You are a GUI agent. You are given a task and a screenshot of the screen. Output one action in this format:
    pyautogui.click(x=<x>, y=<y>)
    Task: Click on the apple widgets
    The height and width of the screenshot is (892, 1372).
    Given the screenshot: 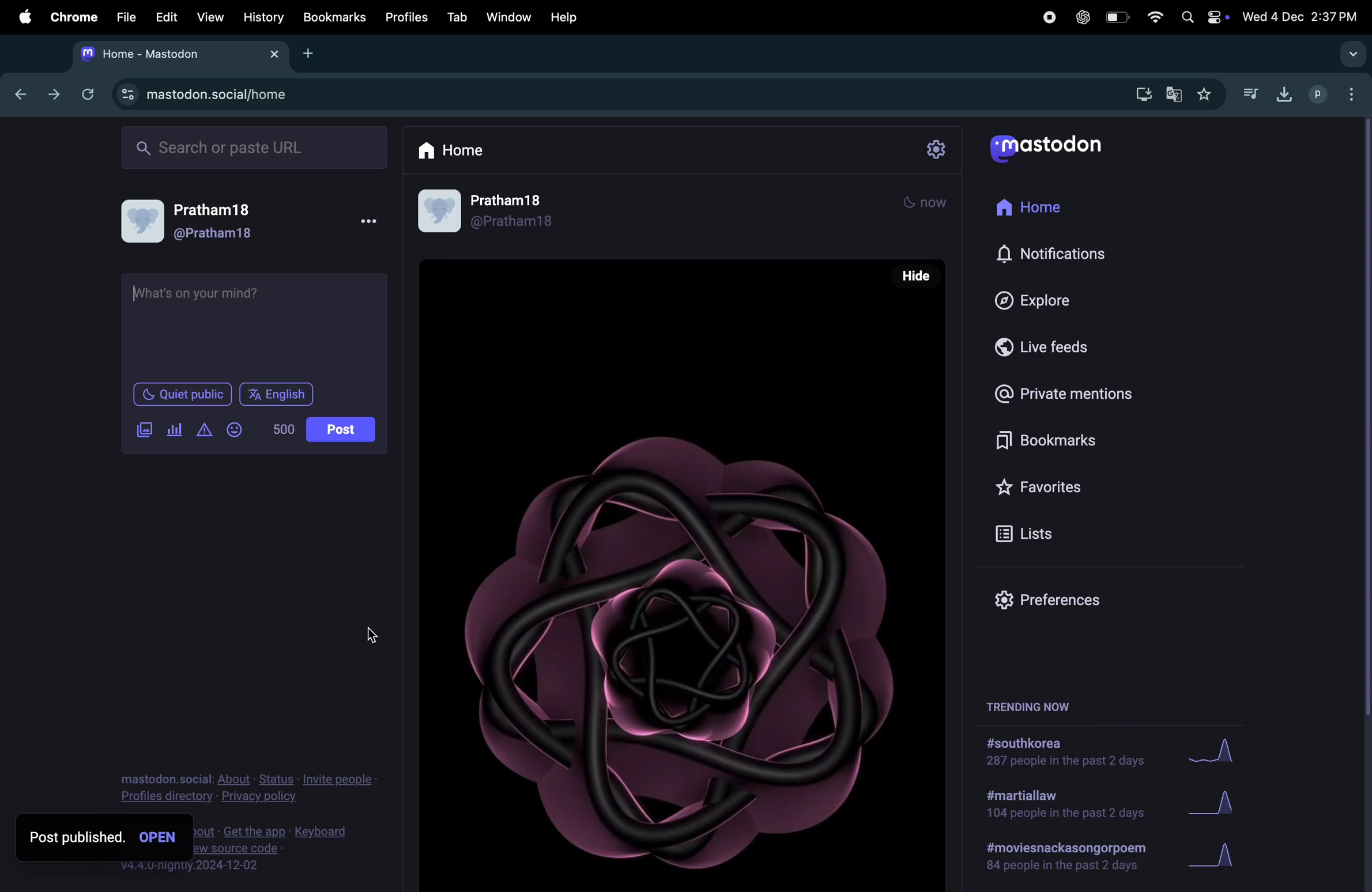 What is the action you would take?
    pyautogui.click(x=1203, y=16)
    